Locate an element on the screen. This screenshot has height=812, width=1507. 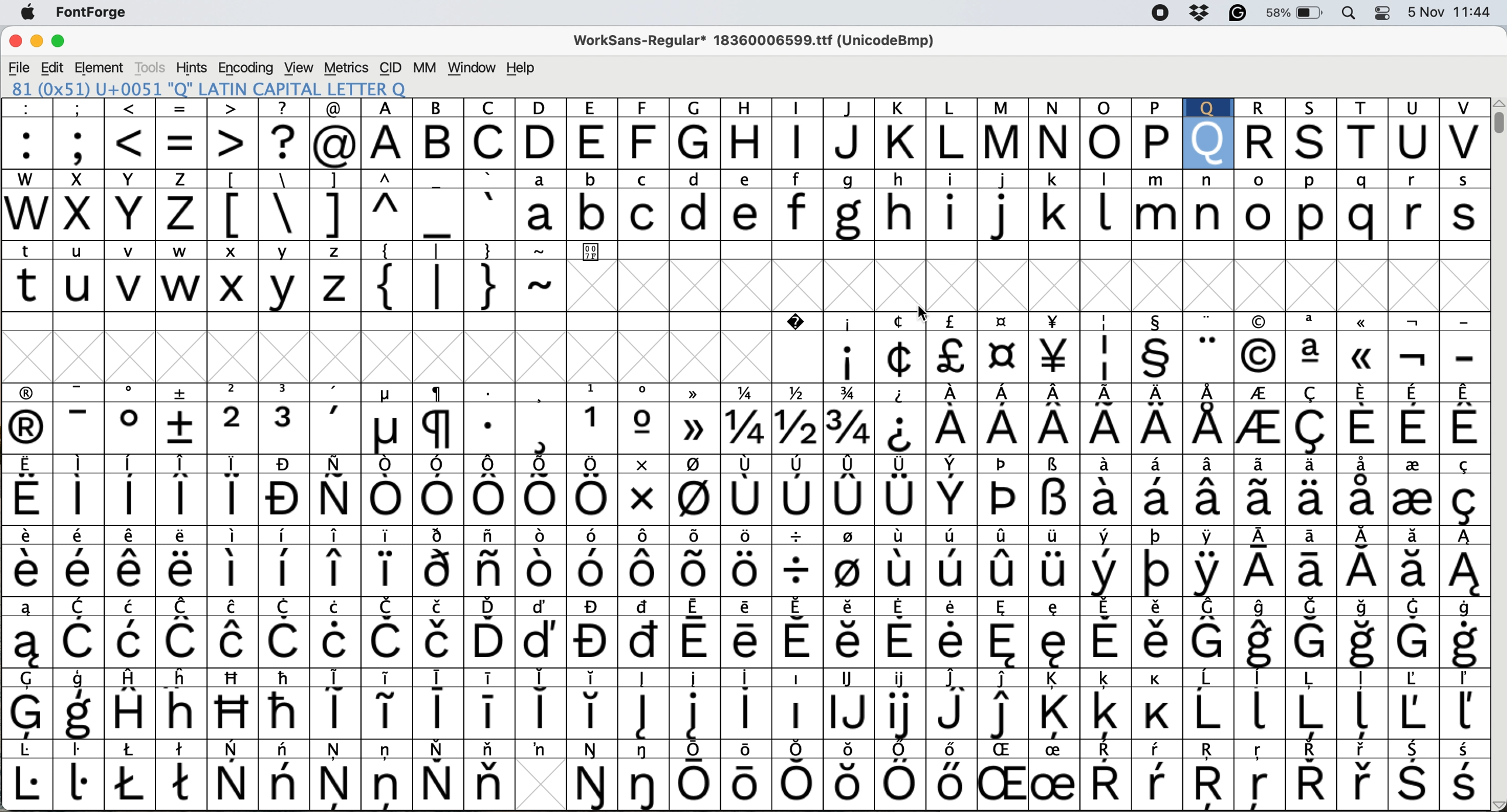
hints is located at coordinates (194, 68).